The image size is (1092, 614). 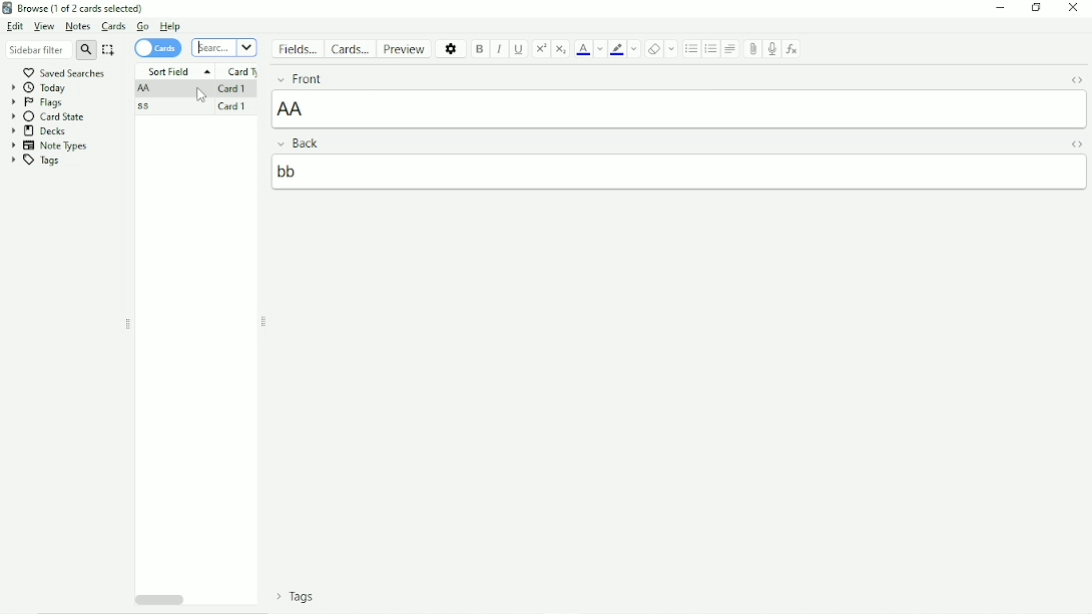 I want to click on Toggle HTML Editor, so click(x=1077, y=143).